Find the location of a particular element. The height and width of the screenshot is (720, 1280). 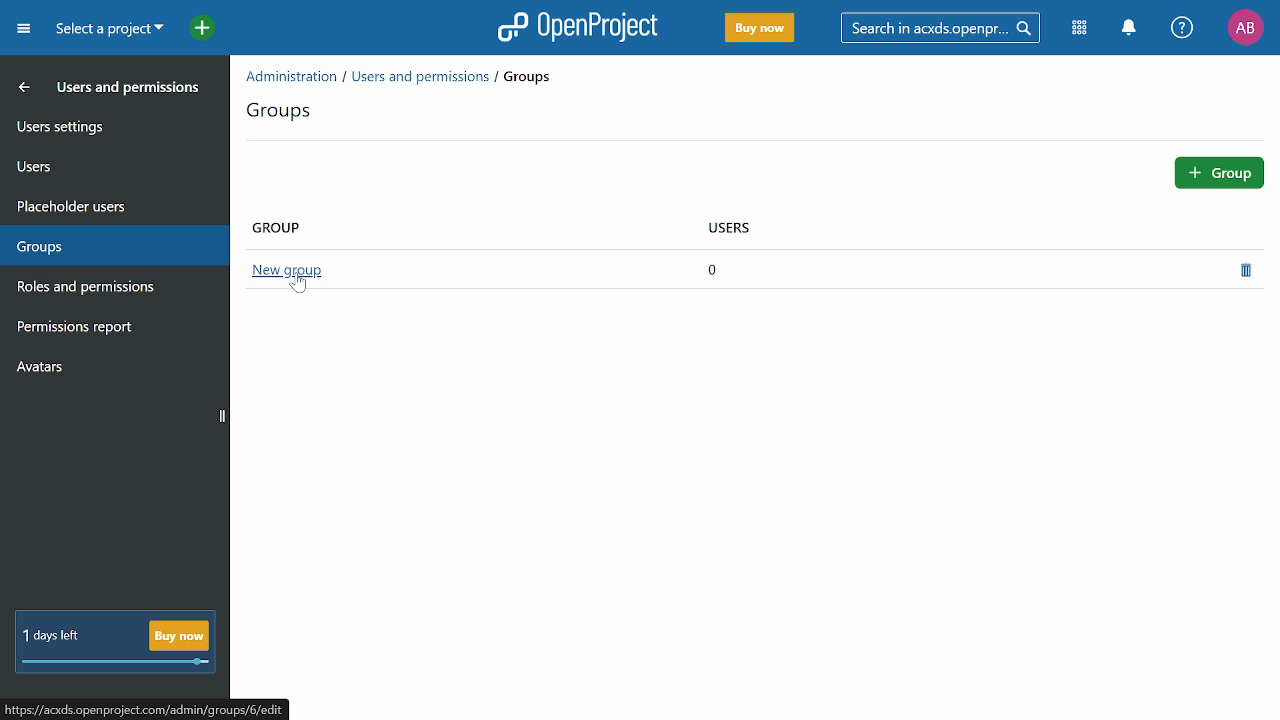

! day left Buy now is located at coordinates (115, 643).